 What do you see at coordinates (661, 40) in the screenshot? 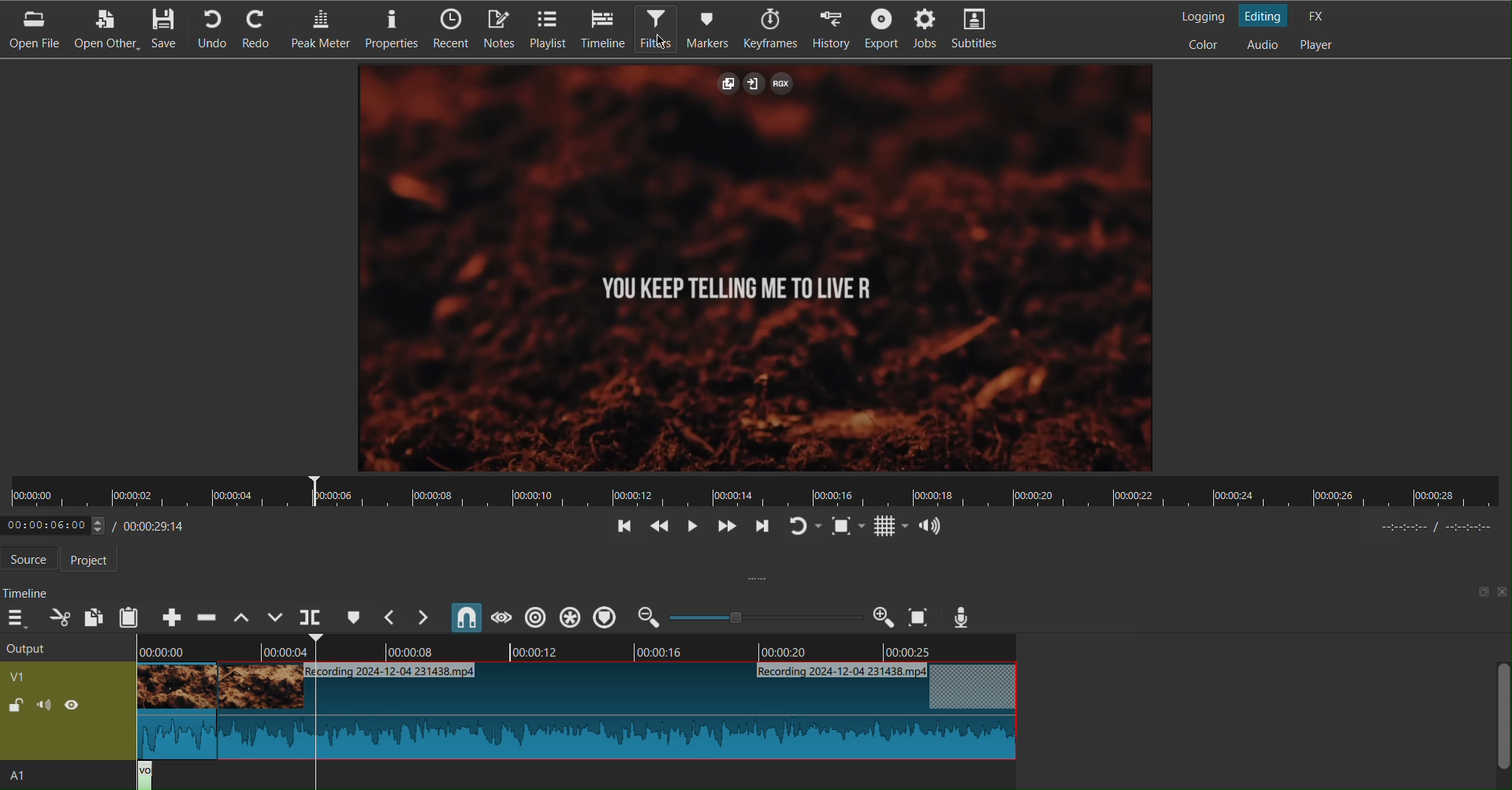
I see `Cursor at Filters` at bounding box center [661, 40].